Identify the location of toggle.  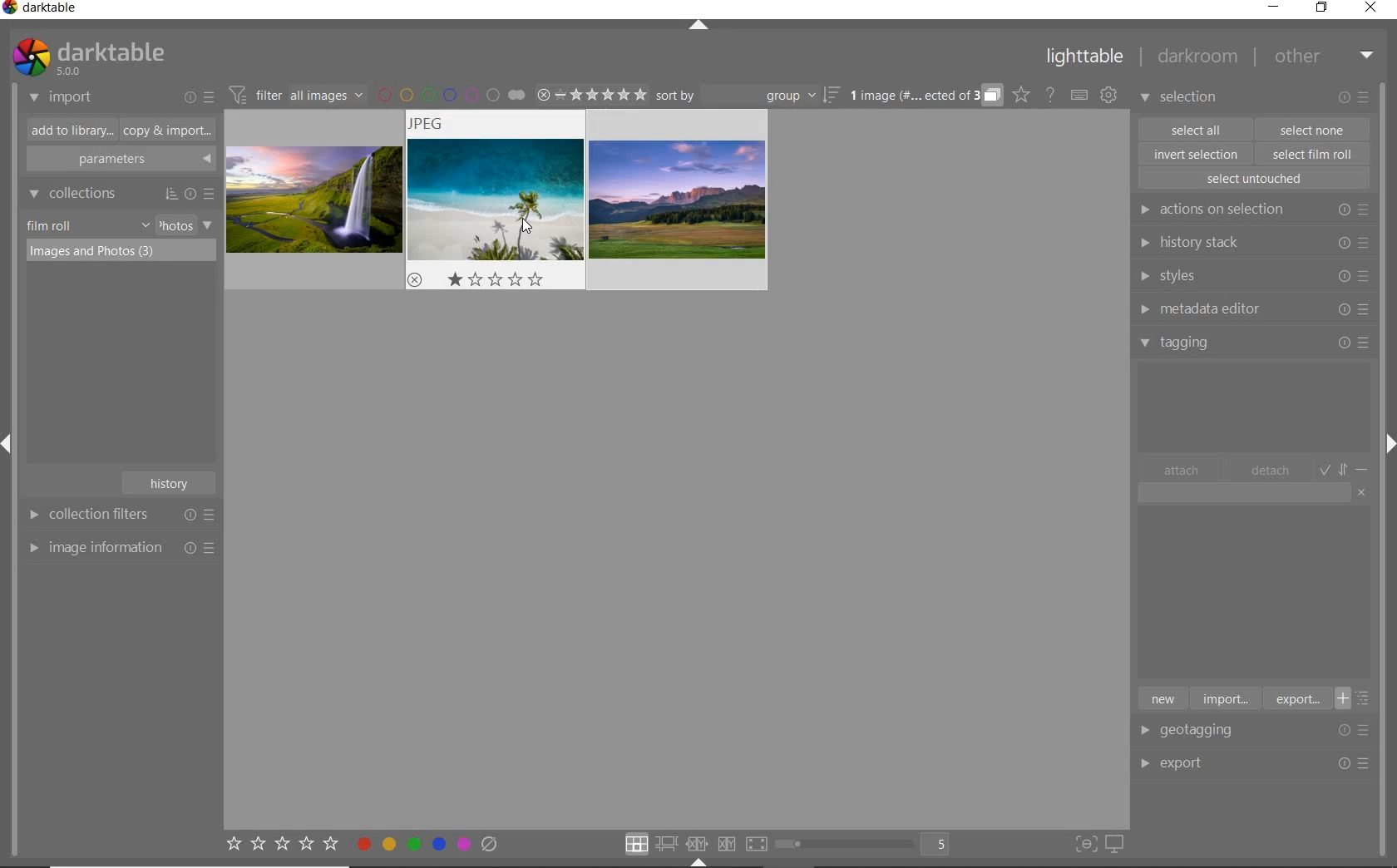
(1345, 468).